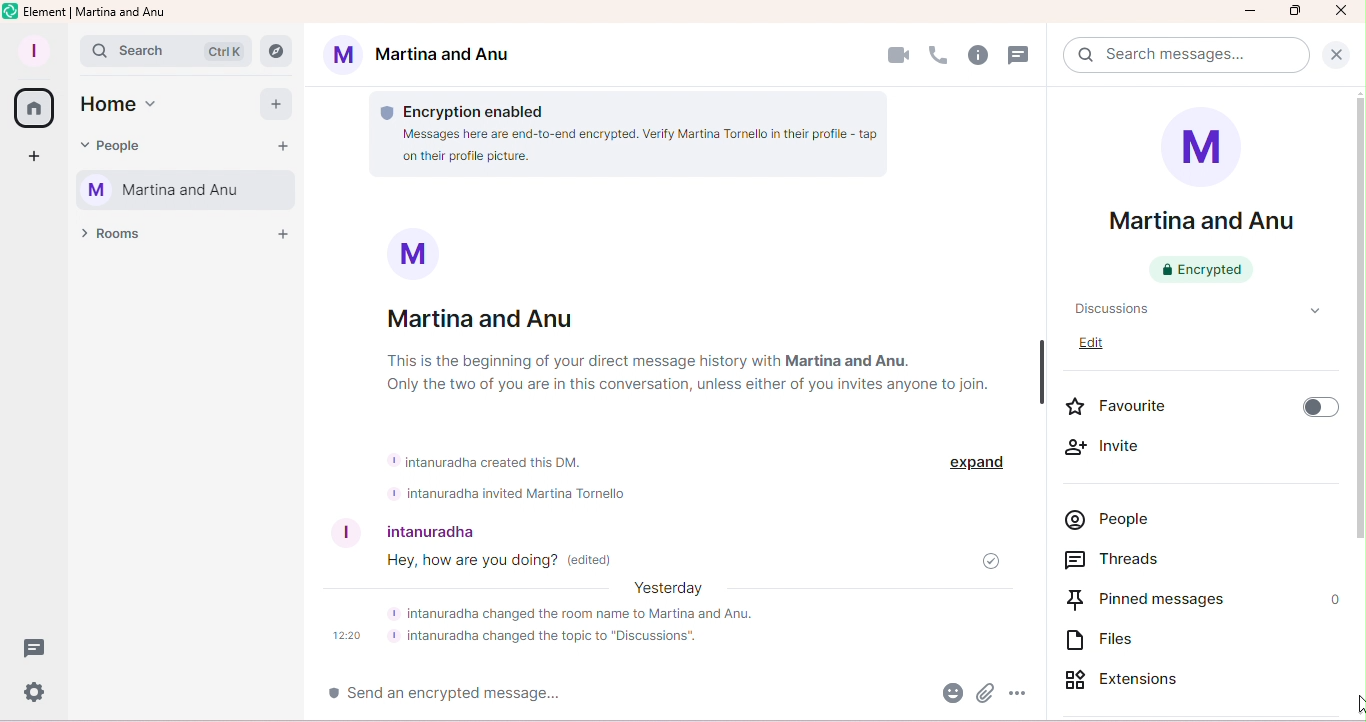 The image size is (1366, 722). I want to click on Search bar, so click(1181, 56).